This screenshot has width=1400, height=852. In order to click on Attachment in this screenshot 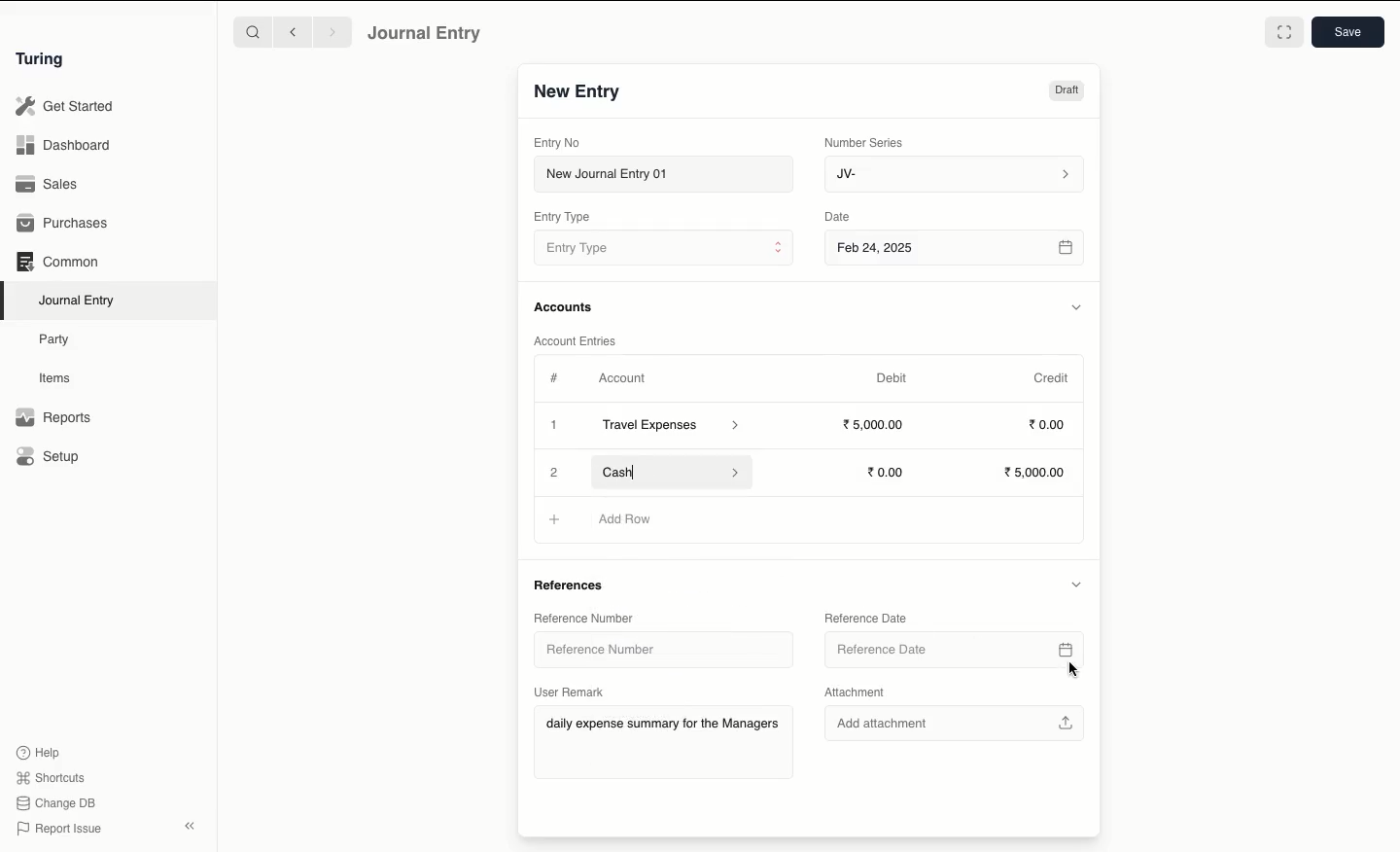, I will do `click(864, 692)`.